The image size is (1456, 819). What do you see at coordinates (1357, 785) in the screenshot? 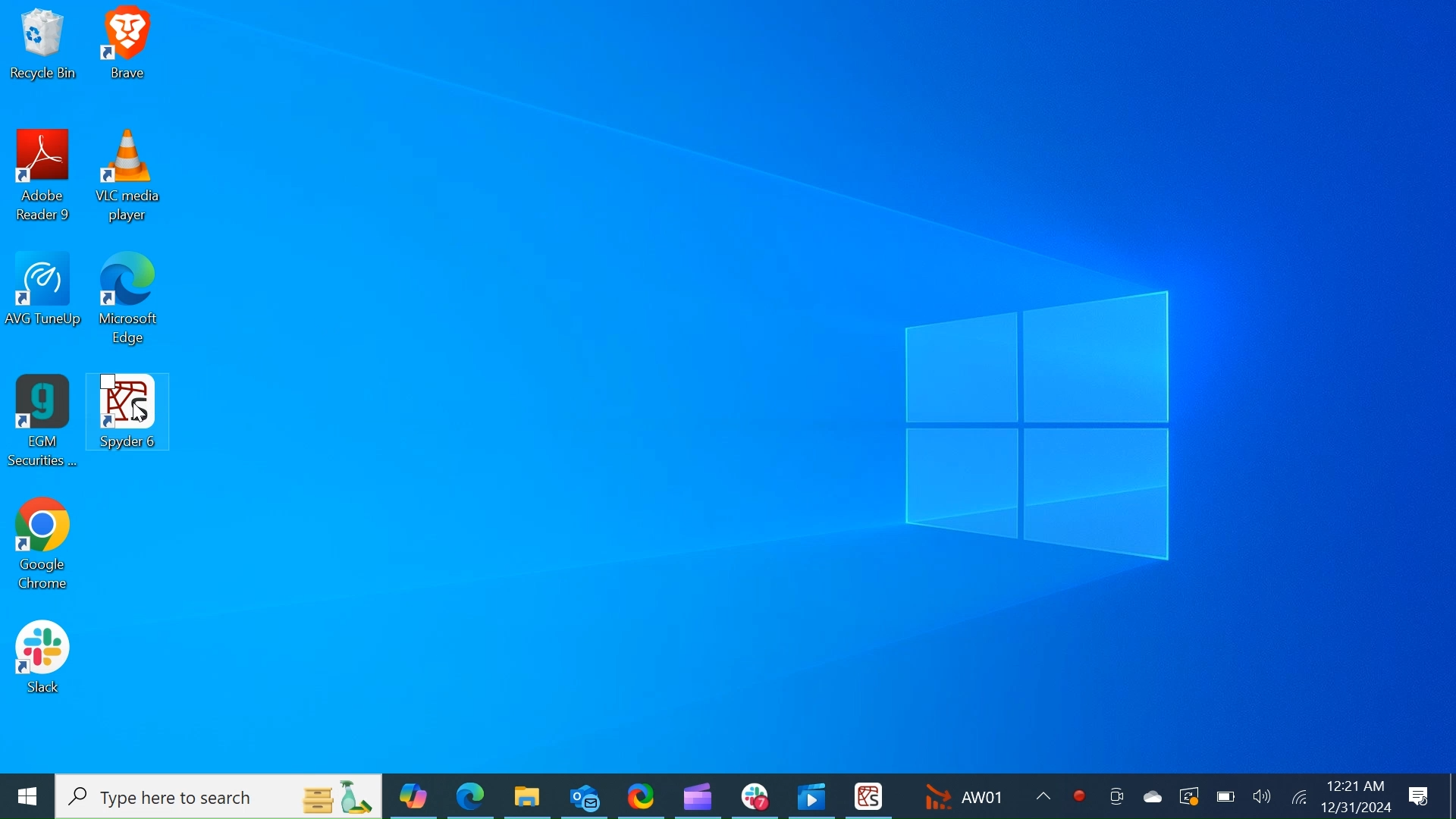
I see `12:21 am` at bounding box center [1357, 785].